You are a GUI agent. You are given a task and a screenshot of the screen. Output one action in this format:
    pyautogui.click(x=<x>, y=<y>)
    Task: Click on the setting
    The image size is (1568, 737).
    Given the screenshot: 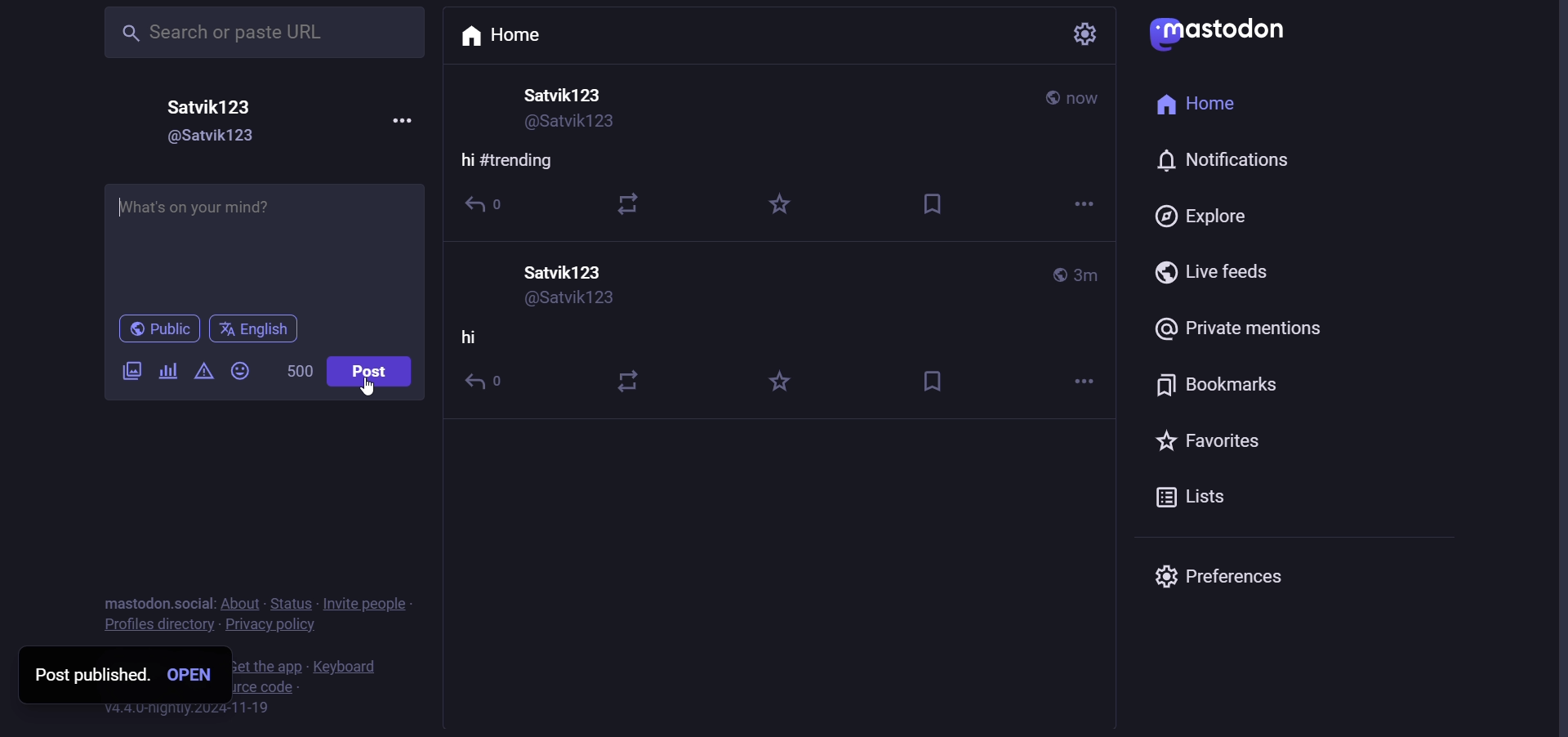 What is the action you would take?
    pyautogui.click(x=1081, y=38)
    